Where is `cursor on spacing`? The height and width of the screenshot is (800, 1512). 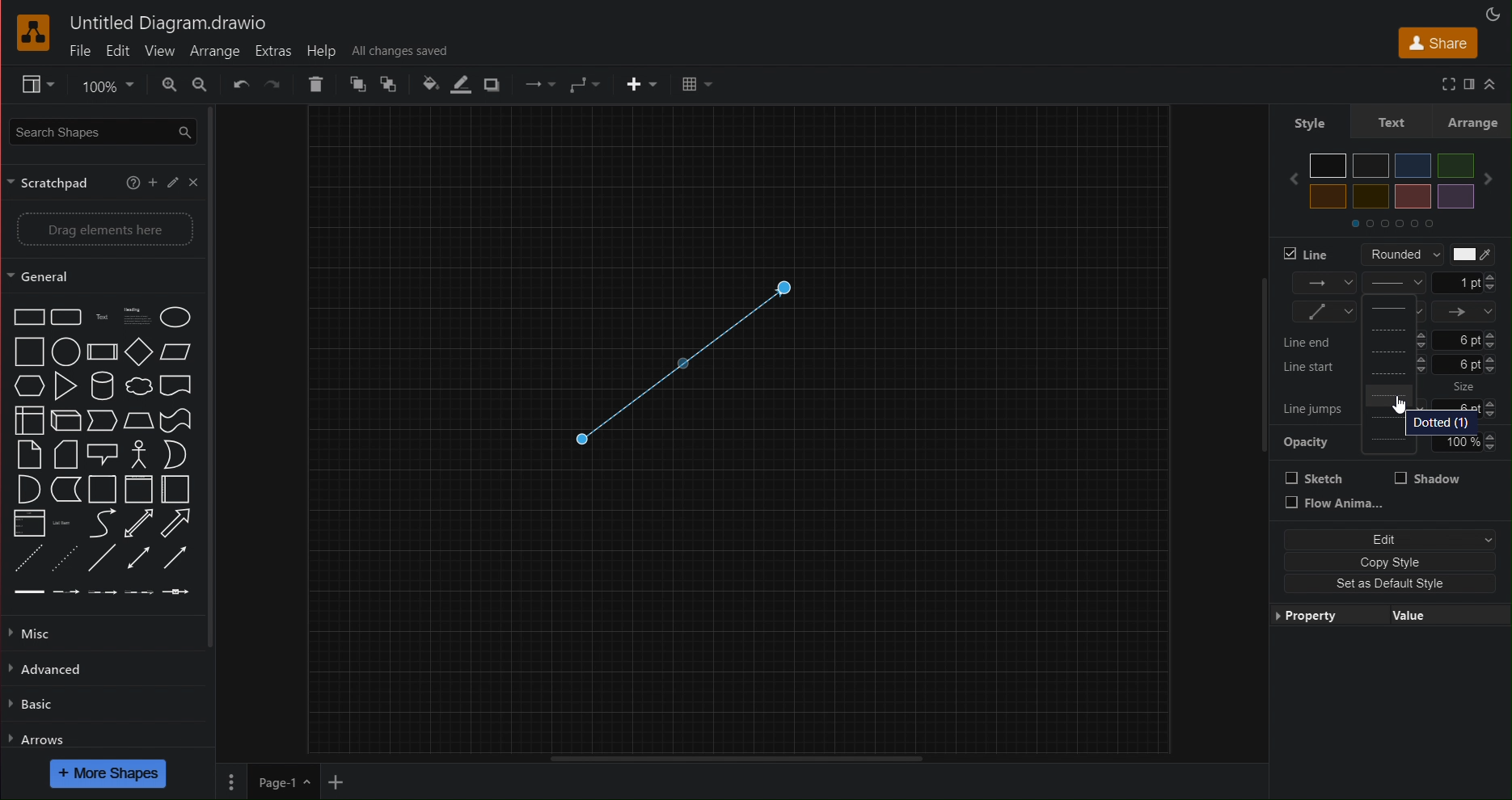
cursor on spacing is located at coordinates (1400, 404).